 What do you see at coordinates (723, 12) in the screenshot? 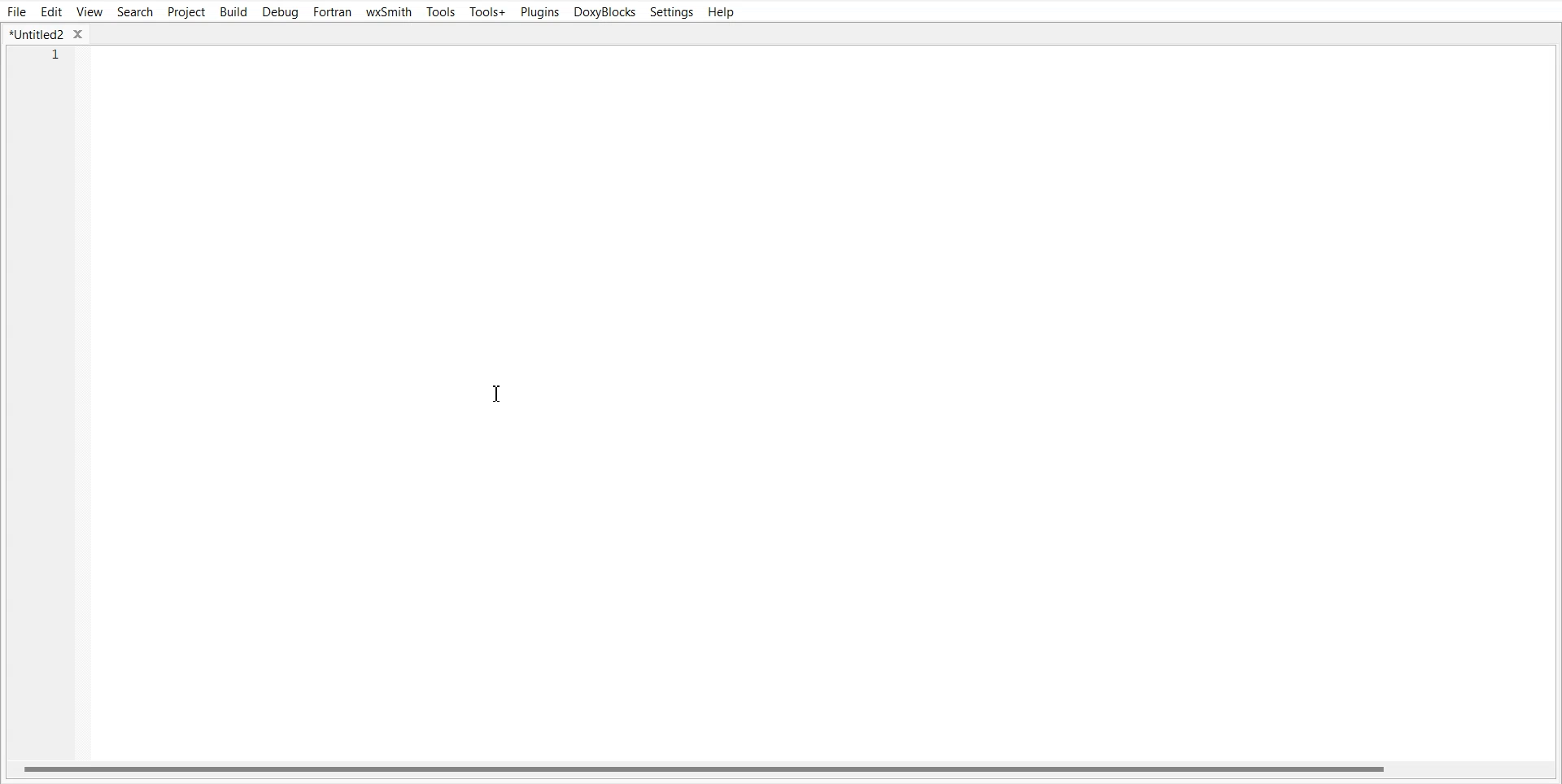
I see `Help` at bounding box center [723, 12].